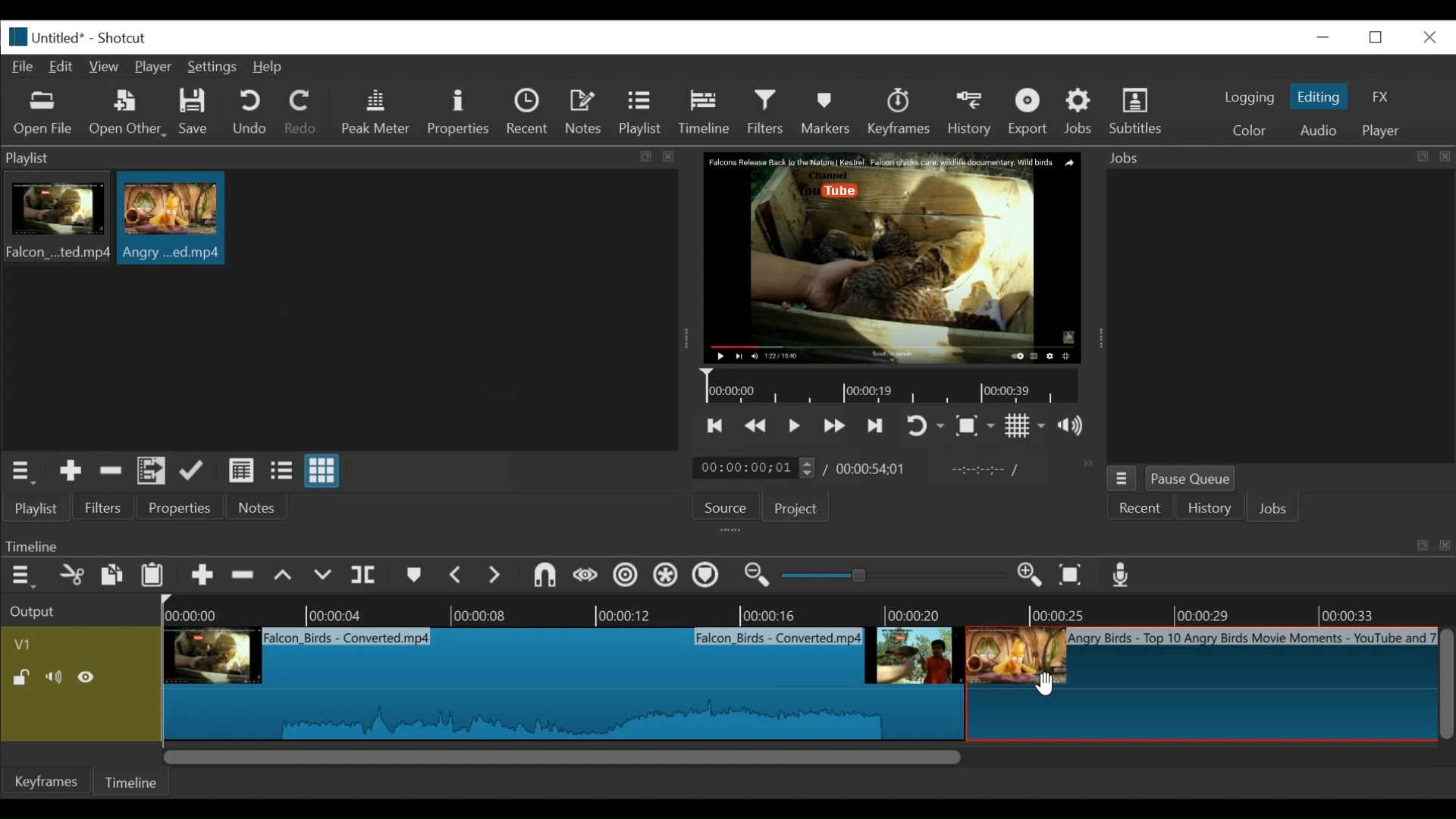  Describe the element at coordinates (1031, 114) in the screenshot. I see `Export` at that location.